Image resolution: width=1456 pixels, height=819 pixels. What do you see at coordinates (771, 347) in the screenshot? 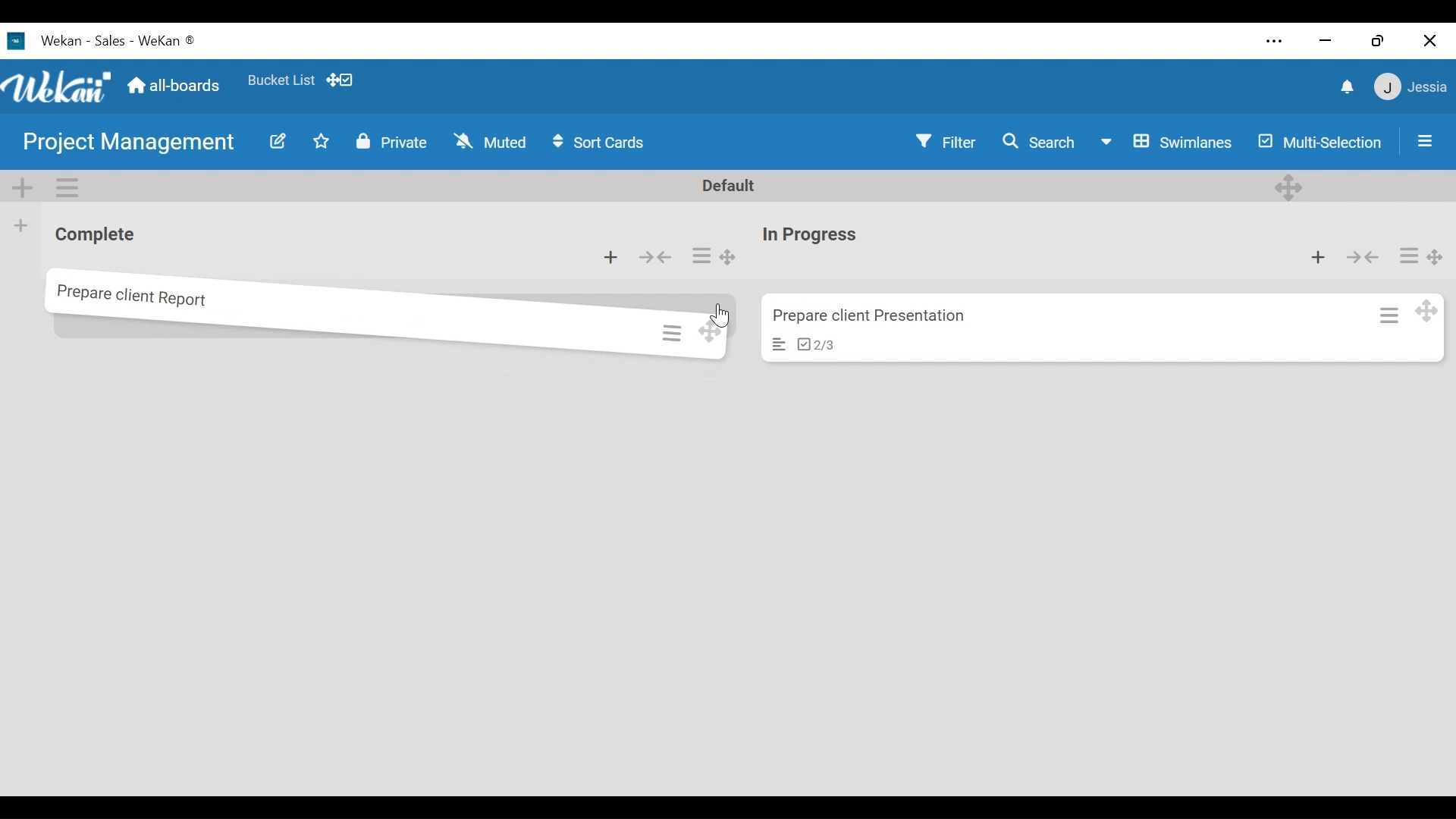
I see `card description` at bounding box center [771, 347].